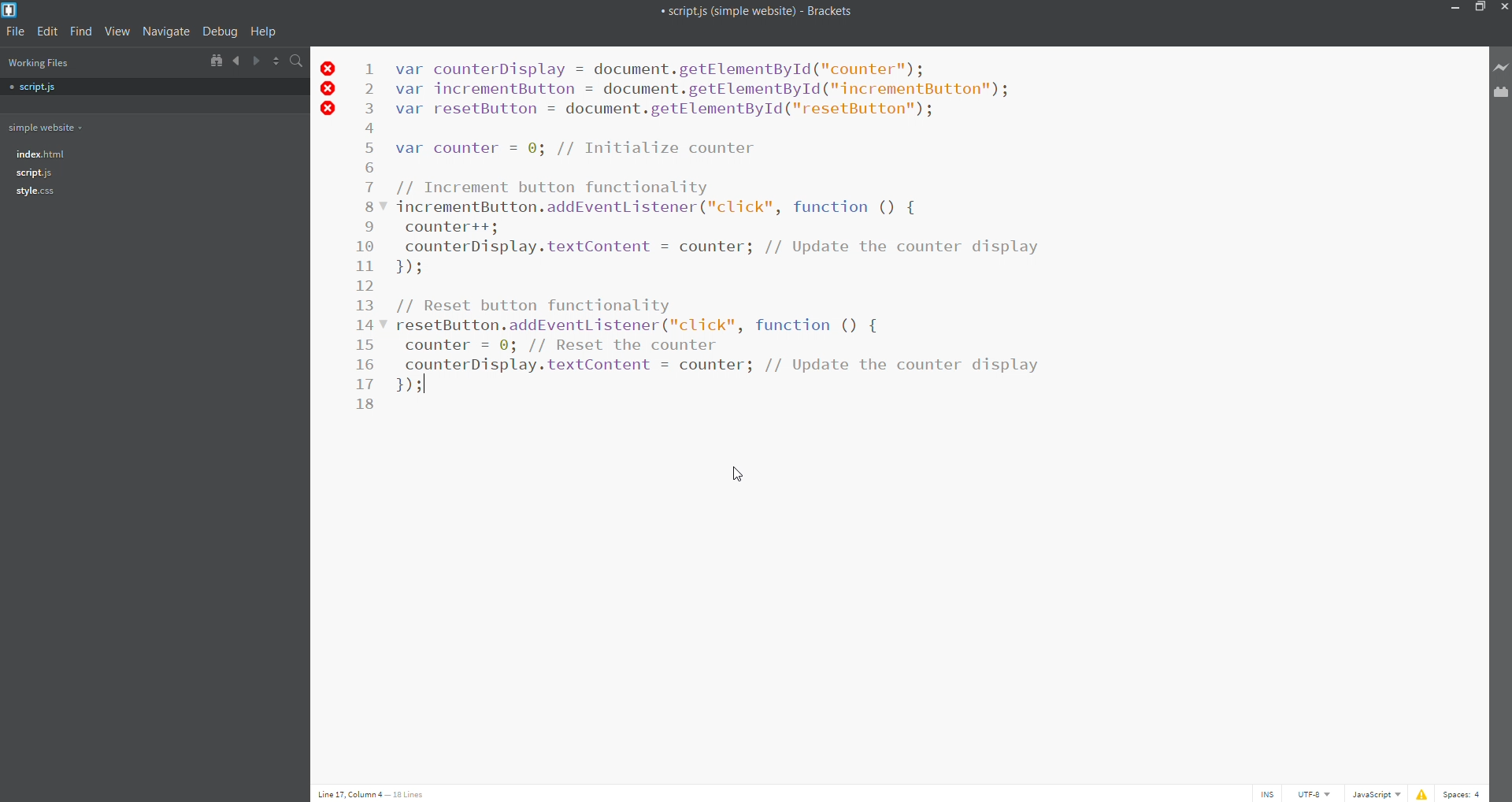 The height and width of the screenshot is (802, 1512). What do you see at coordinates (365, 239) in the screenshot?
I see `line number` at bounding box center [365, 239].